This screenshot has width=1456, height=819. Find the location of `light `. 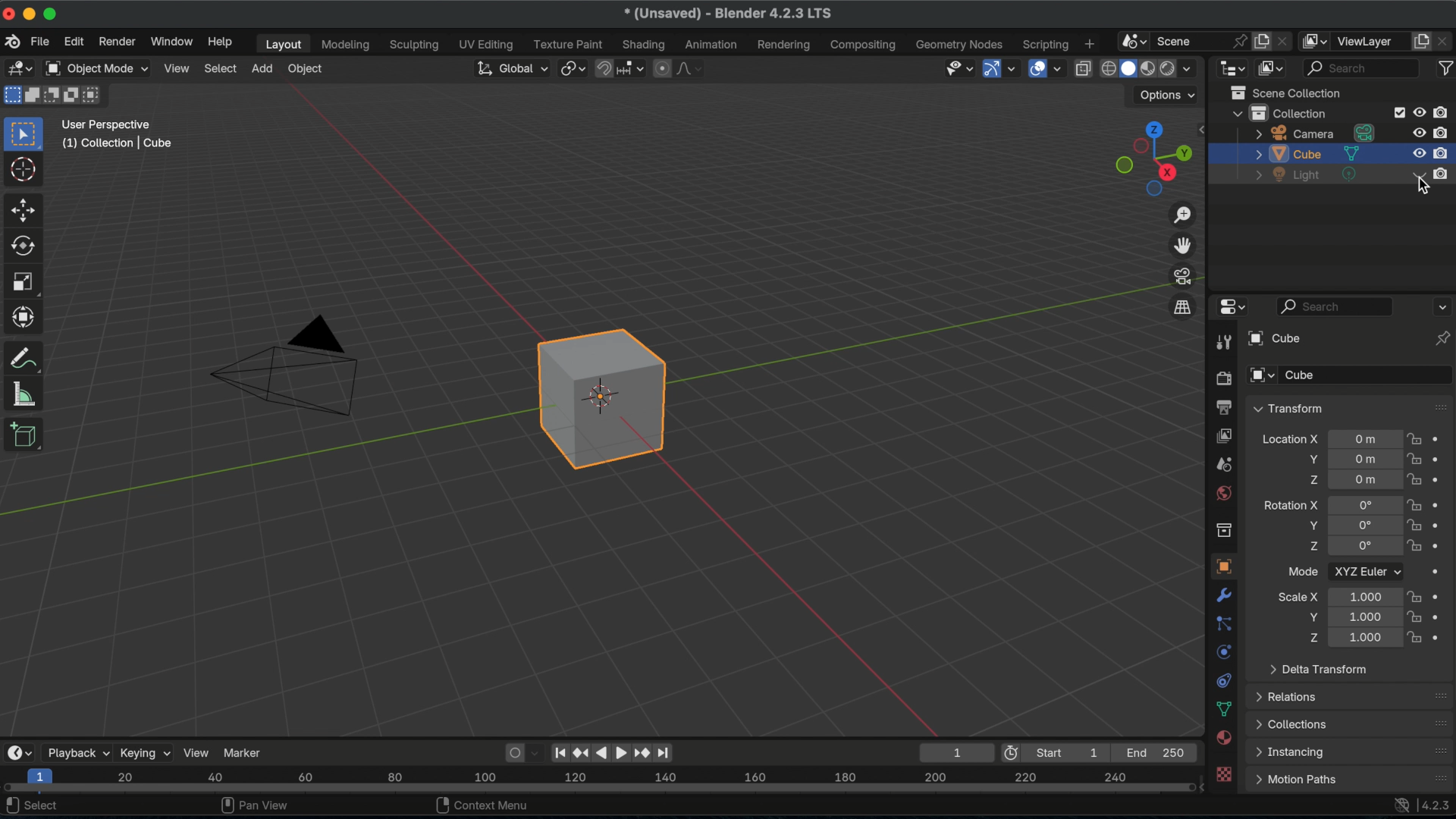

light  is located at coordinates (1305, 176).